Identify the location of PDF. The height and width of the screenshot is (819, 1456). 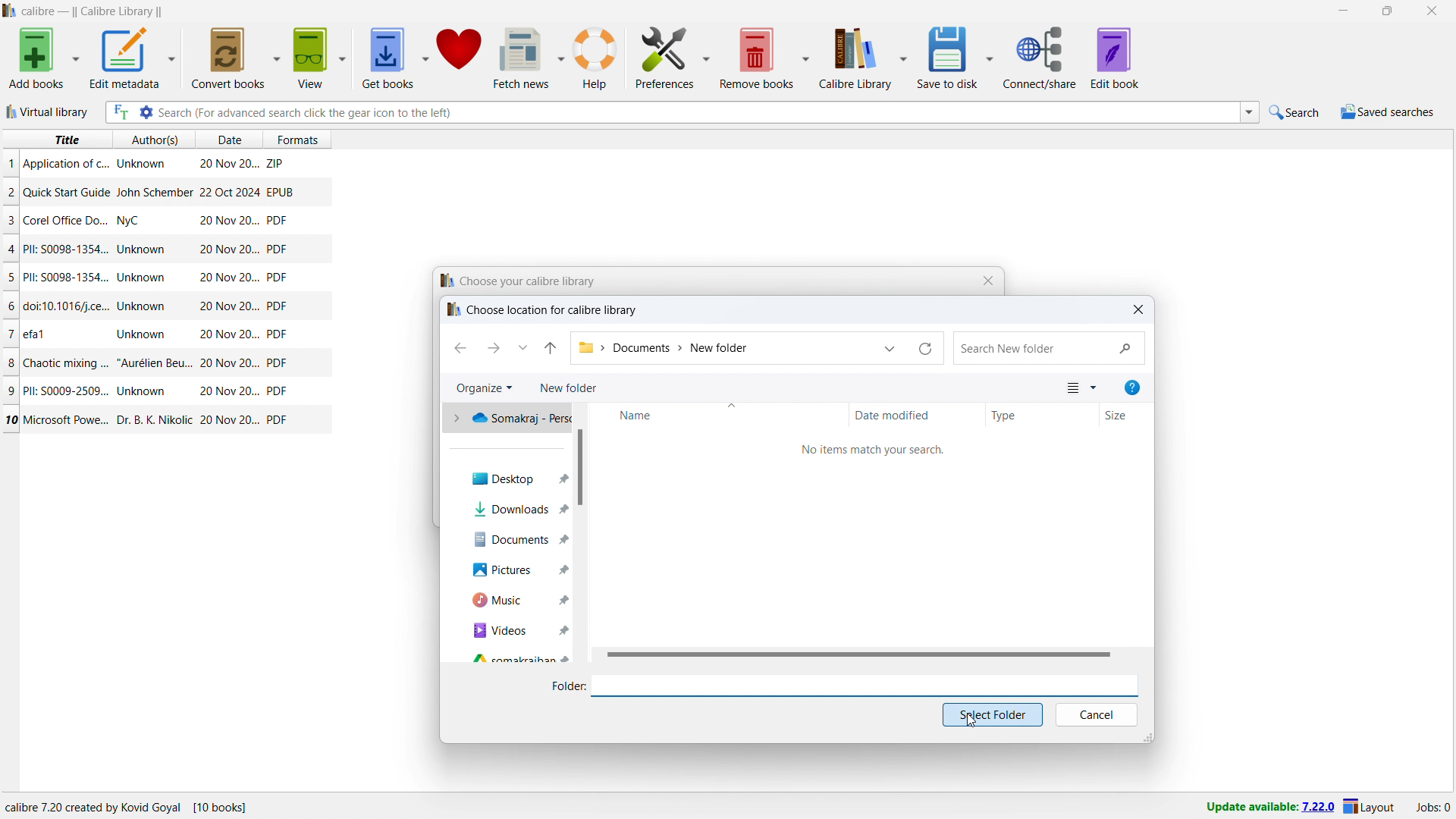
(277, 391).